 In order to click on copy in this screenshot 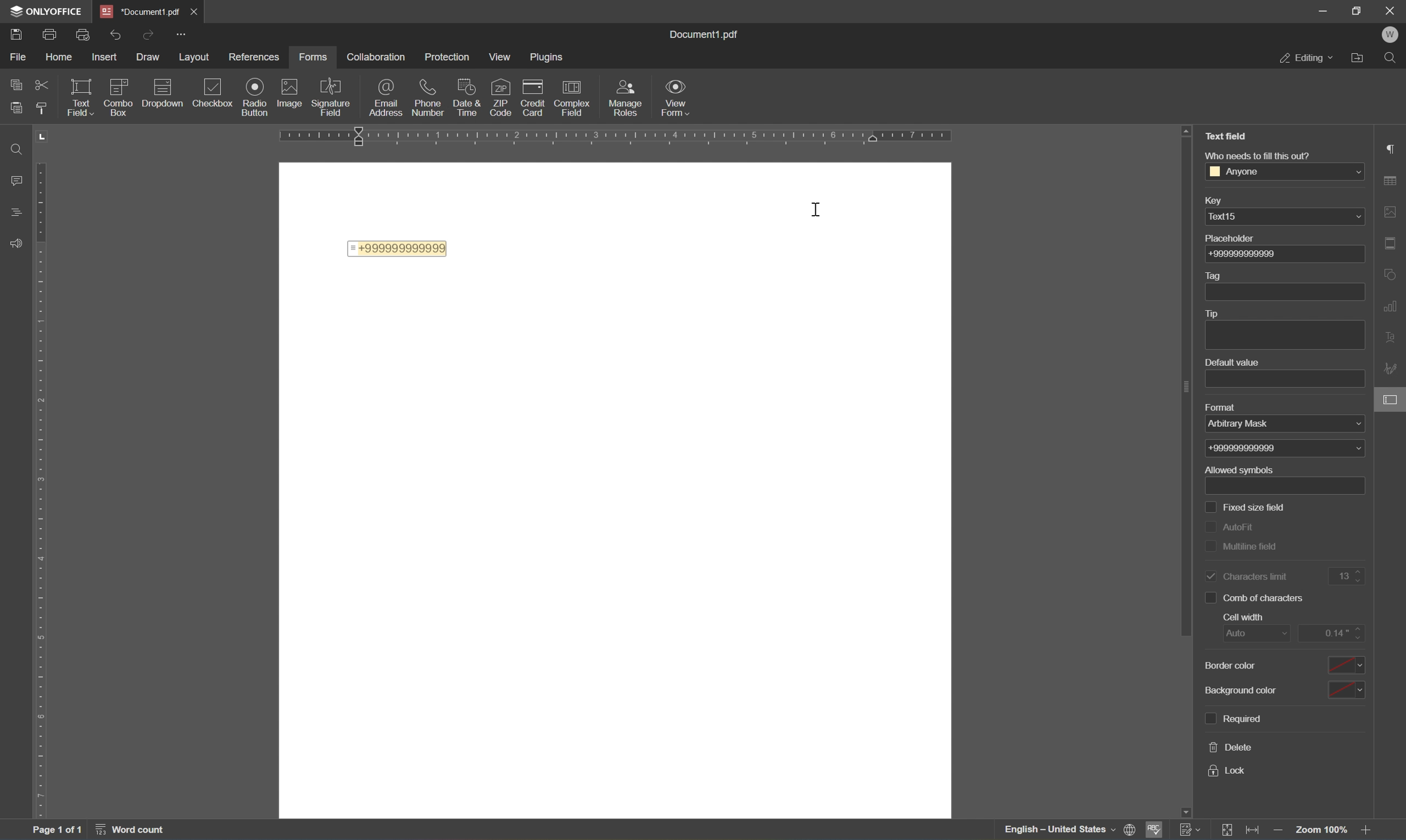, I will do `click(11, 84)`.